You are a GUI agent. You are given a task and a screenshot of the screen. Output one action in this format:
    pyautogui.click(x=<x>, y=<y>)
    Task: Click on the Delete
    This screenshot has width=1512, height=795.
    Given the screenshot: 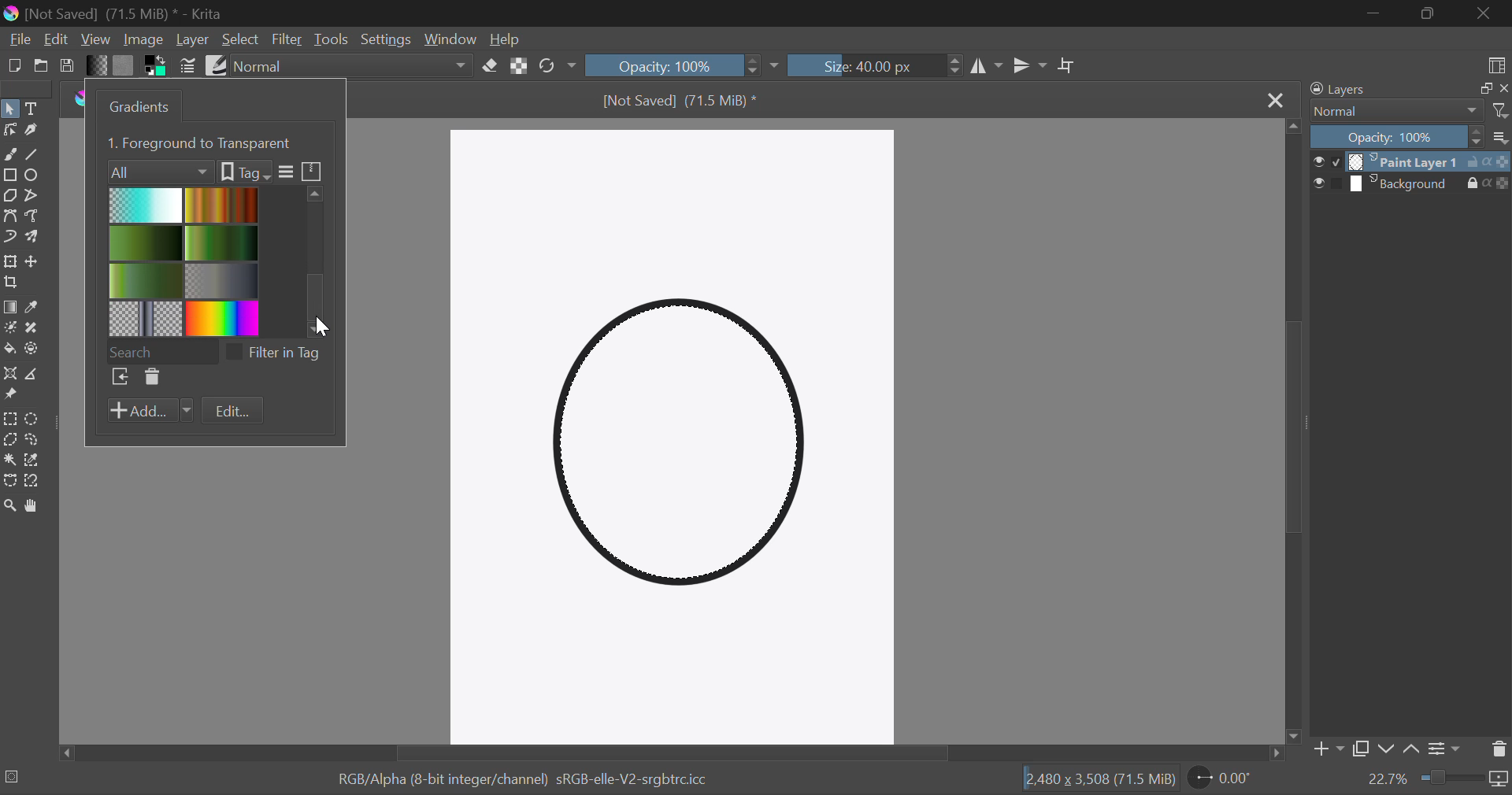 What is the action you would take?
    pyautogui.click(x=153, y=378)
    